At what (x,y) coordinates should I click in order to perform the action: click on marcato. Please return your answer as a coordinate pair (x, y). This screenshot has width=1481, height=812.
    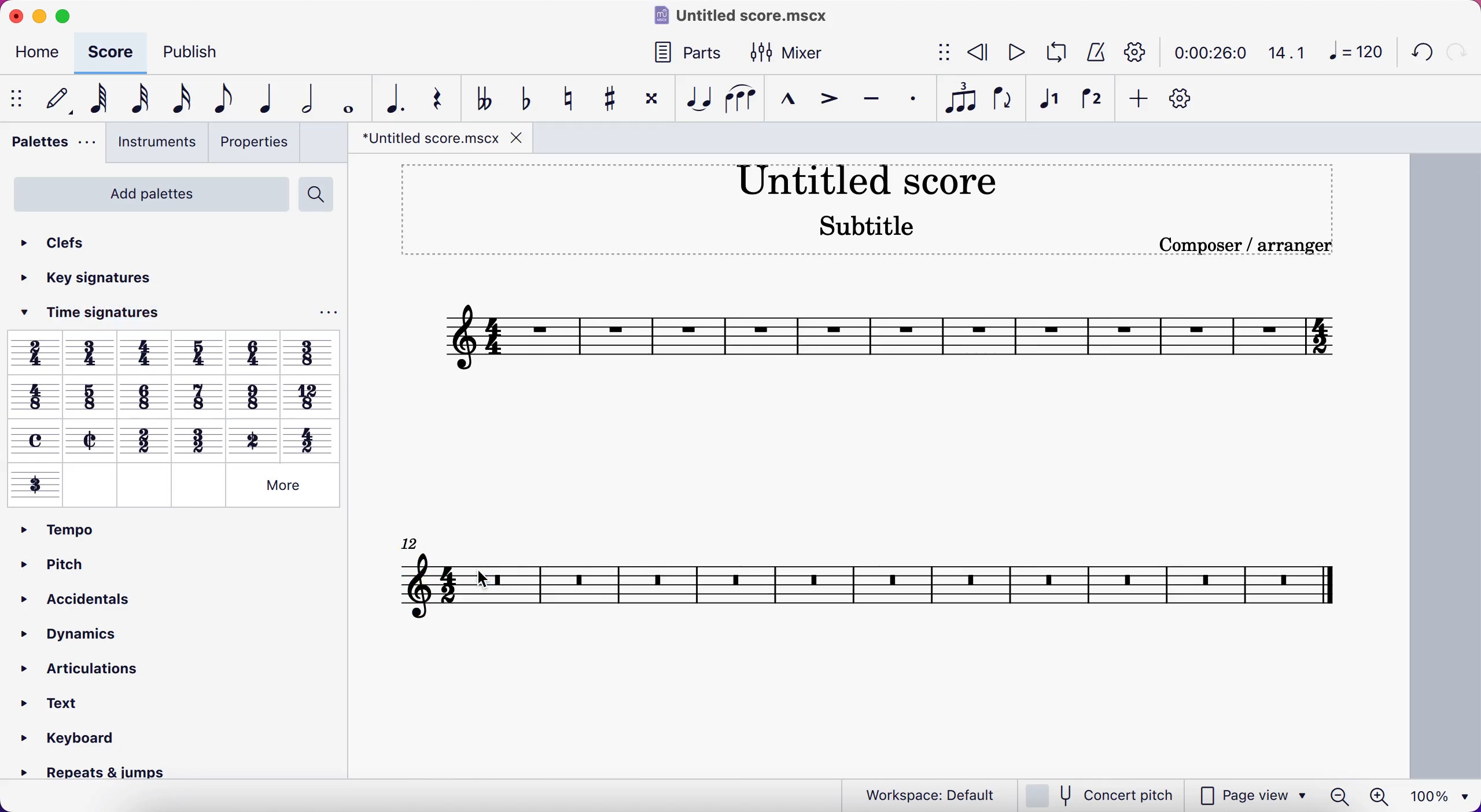
    Looking at the image, I should click on (785, 96).